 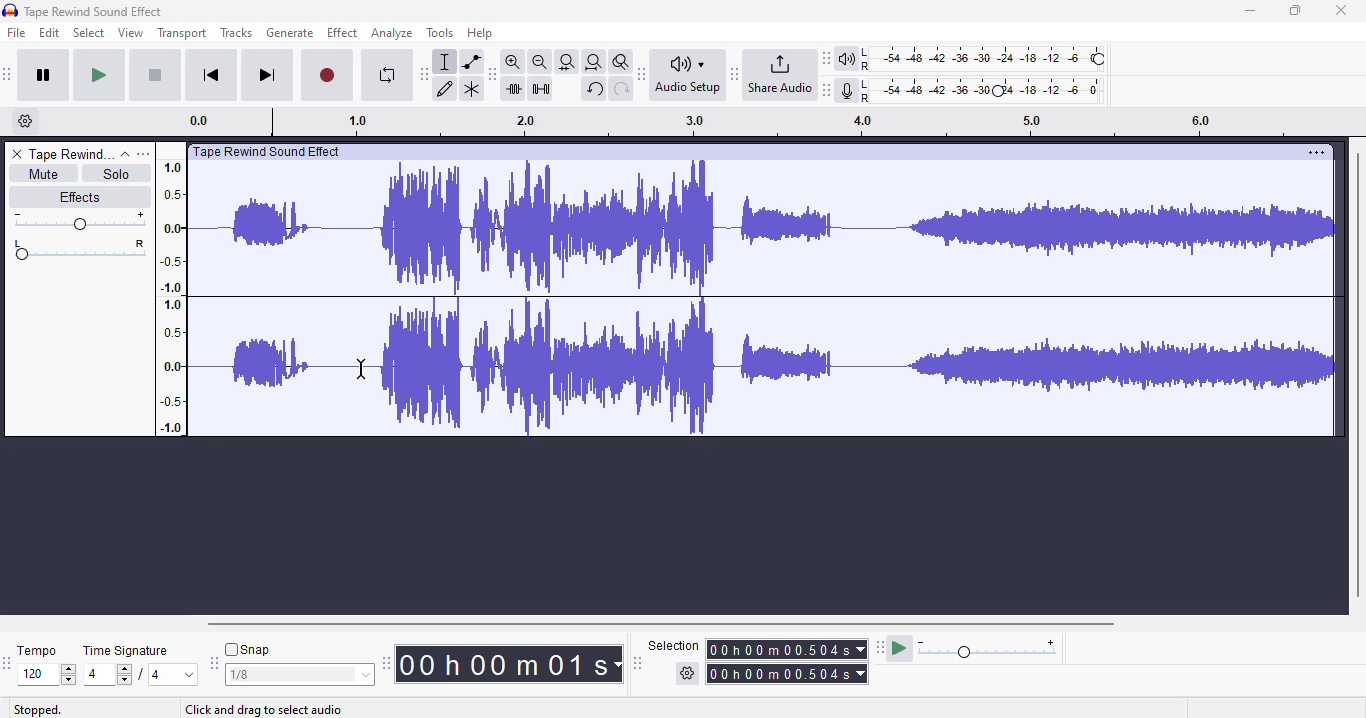 What do you see at coordinates (479, 33) in the screenshot?
I see `help` at bounding box center [479, 33].